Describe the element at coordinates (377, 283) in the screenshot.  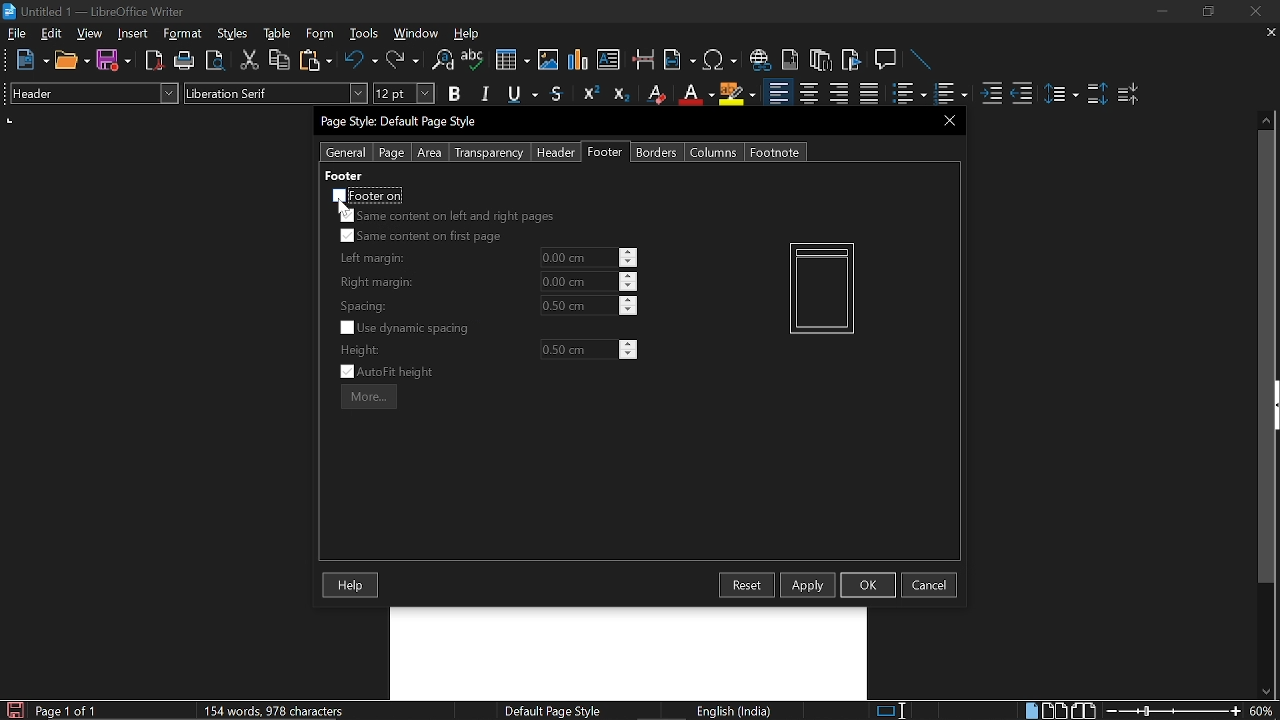
I see `right margin` at that location.